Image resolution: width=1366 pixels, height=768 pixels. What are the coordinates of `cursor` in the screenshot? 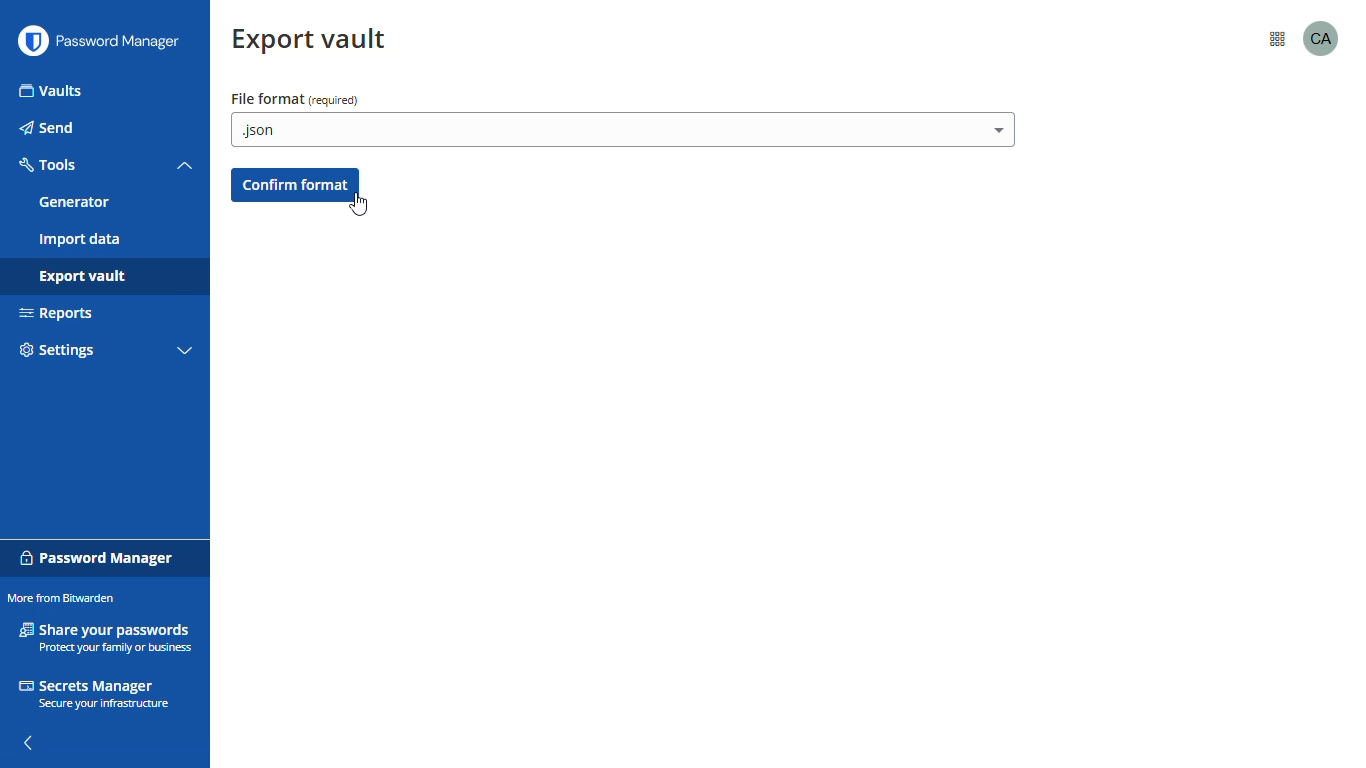 It's located at (366, 207).